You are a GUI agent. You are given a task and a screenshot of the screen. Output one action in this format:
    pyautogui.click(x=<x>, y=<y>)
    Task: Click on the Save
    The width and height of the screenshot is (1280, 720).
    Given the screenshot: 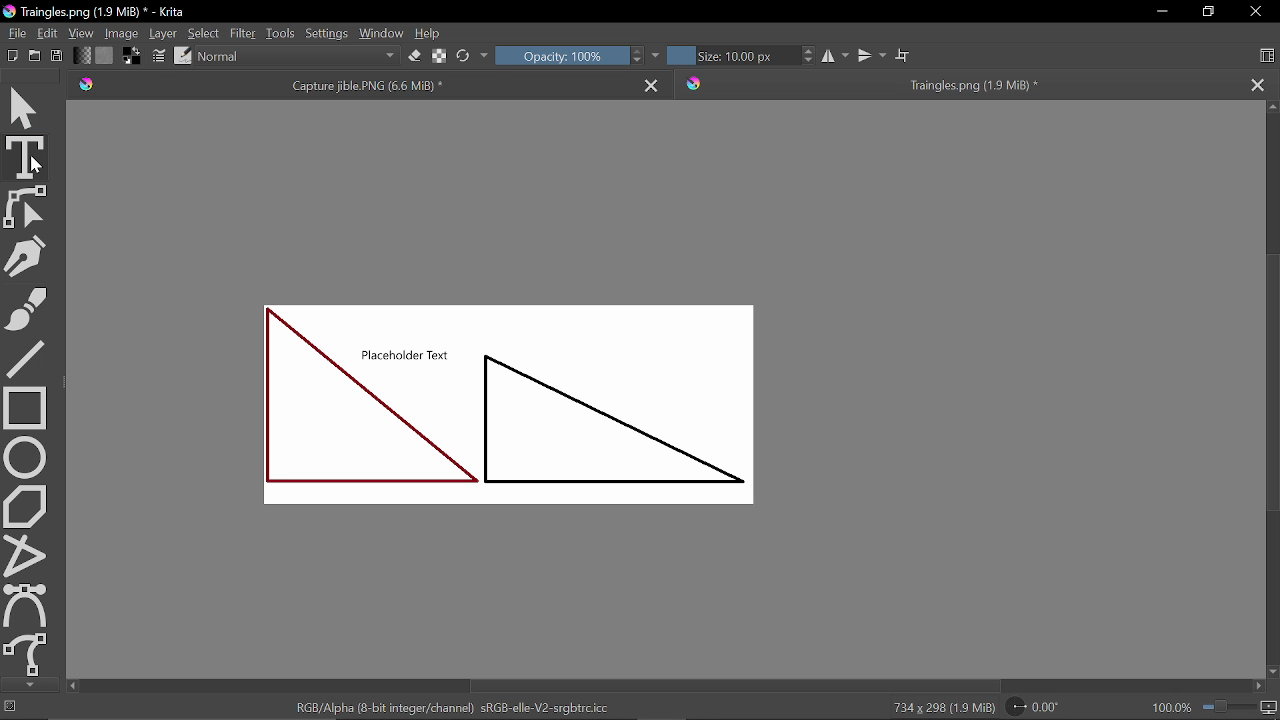 What is the action you would take?
    pyautogui.click(x=57, y=54)
    